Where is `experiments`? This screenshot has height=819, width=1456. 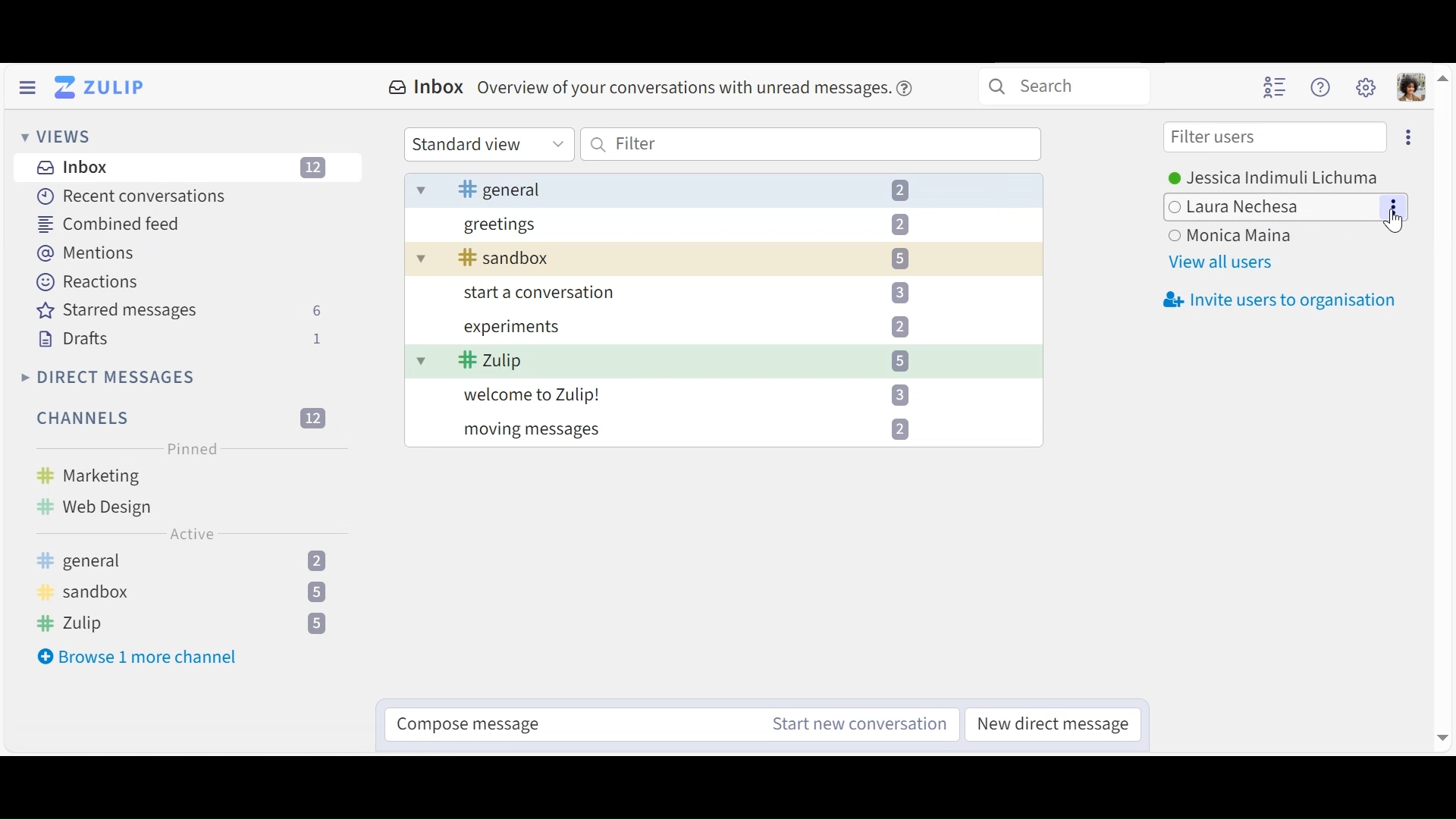 experiments is located at coordinates (682, 330).